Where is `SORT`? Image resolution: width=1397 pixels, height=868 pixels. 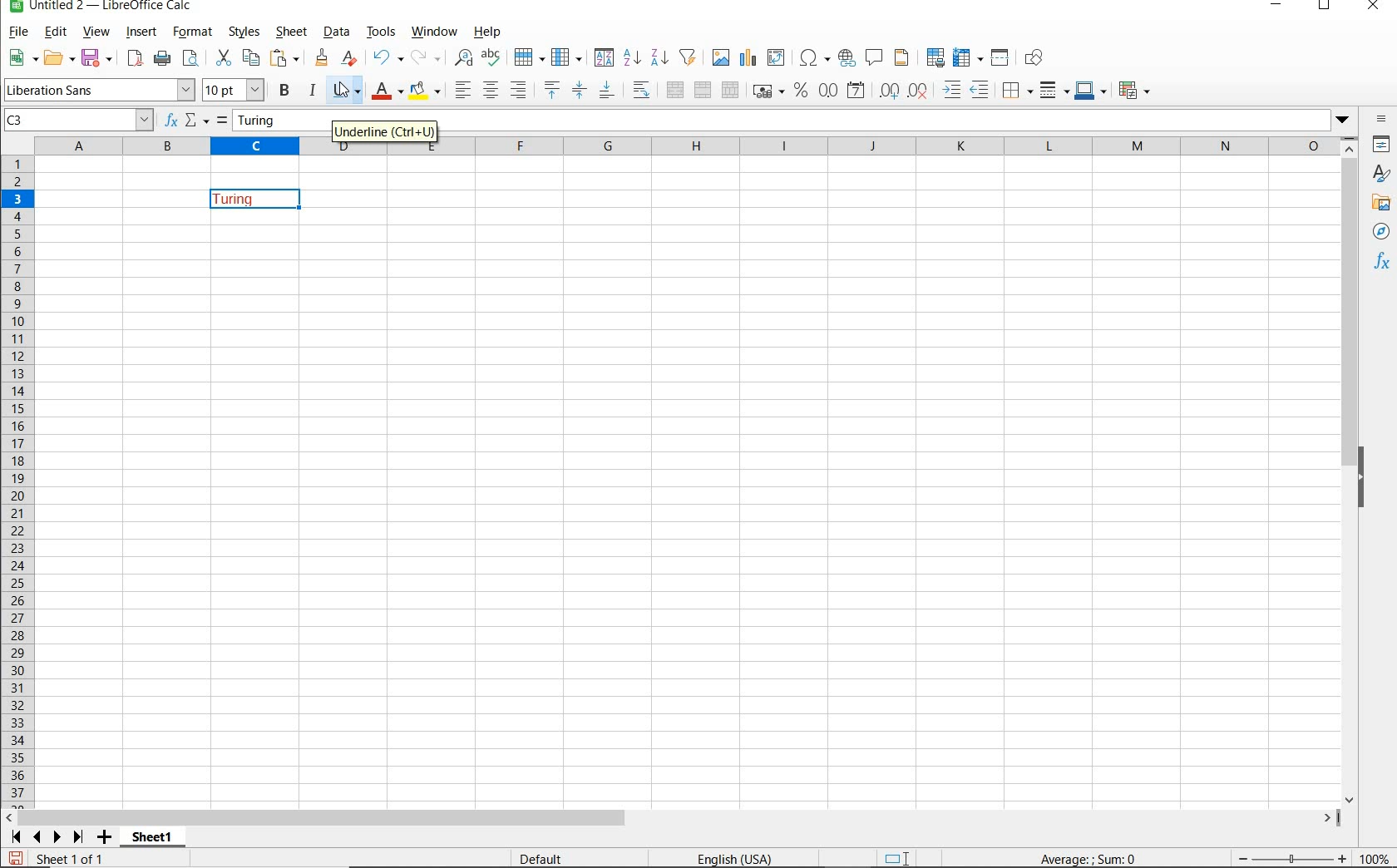
SORT is located at coordinates (603, 57).